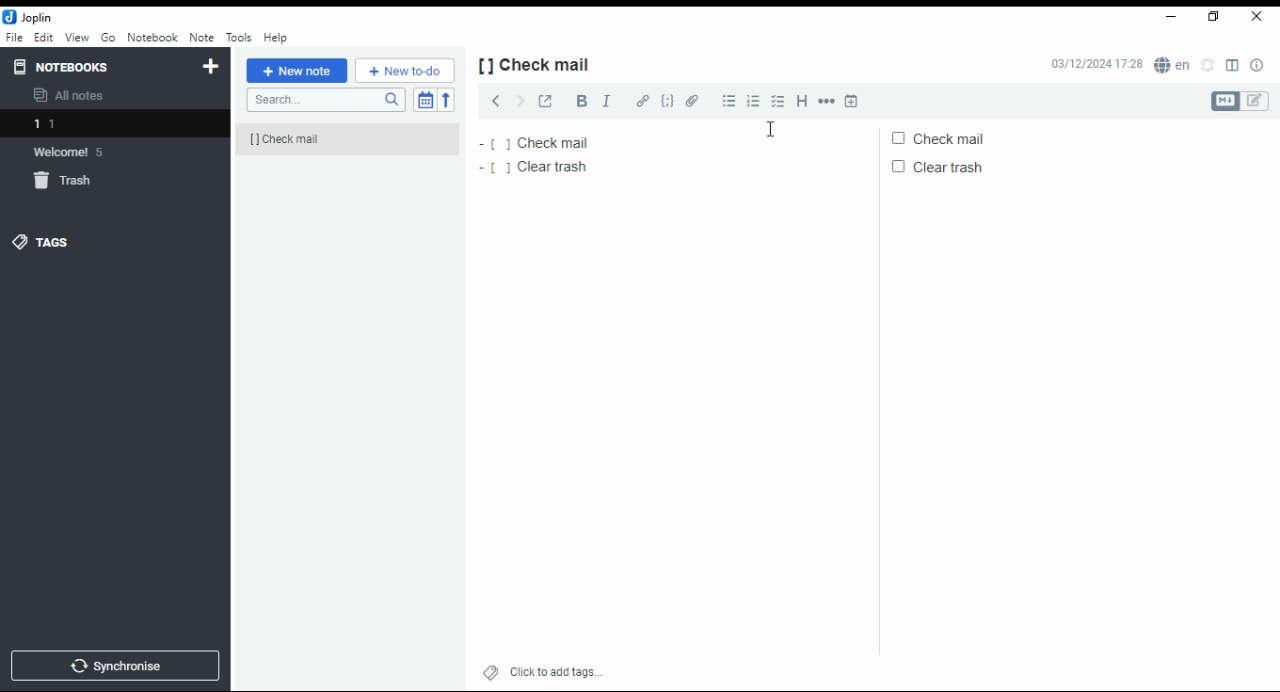 The width and height of the screenshot is (1280, 692). What do you see at coordinates (494, 100) in the screenshot?
I see `previous` at bounding box center [494, 100].